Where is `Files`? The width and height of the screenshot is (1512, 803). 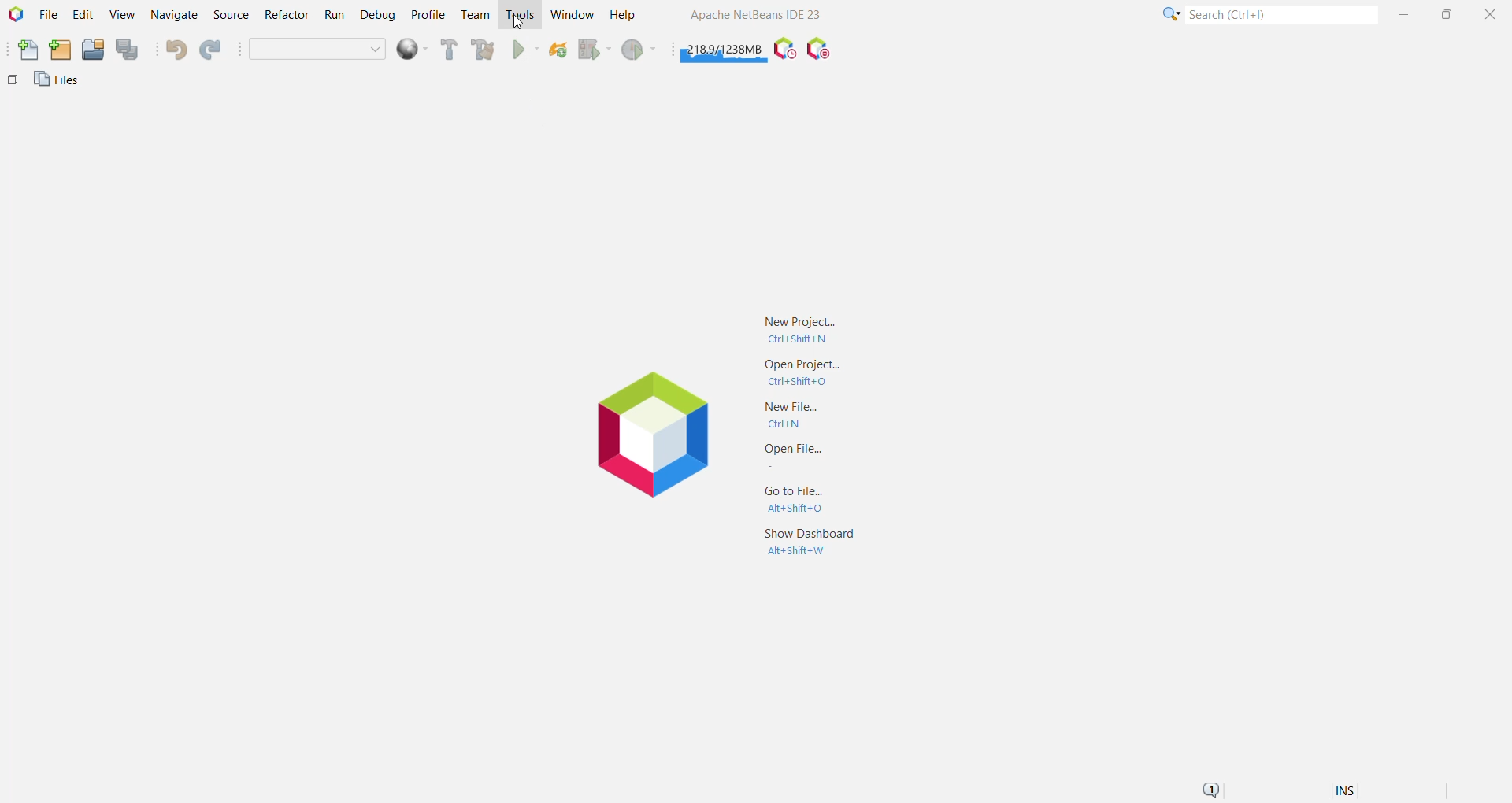
Files is located at coordinates (59, 83).